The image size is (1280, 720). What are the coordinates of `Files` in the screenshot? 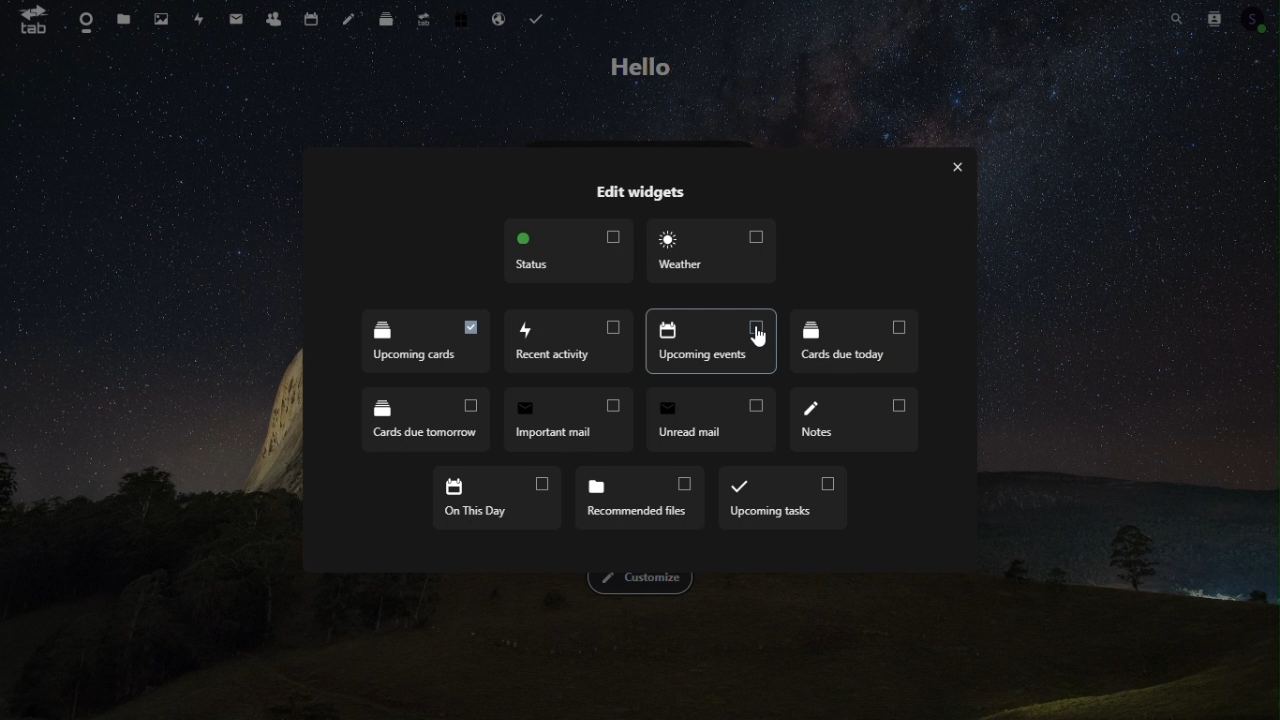 It's located at (127, 18).